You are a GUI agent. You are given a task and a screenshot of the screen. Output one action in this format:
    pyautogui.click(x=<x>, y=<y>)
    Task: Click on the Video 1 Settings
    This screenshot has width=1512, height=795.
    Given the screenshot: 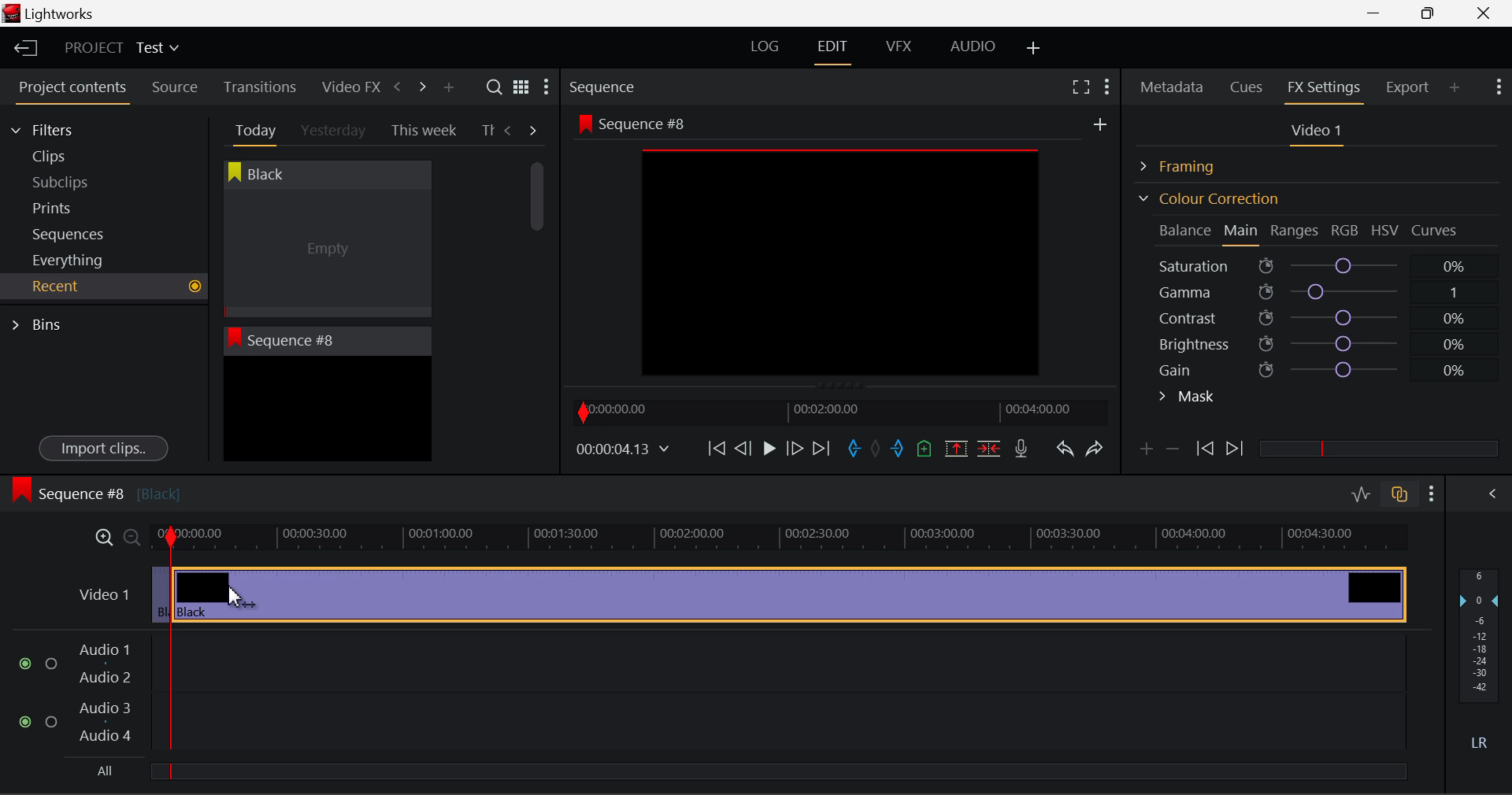 What is the action you would take?
    pyautogui.click(x=1319, y=134)
    